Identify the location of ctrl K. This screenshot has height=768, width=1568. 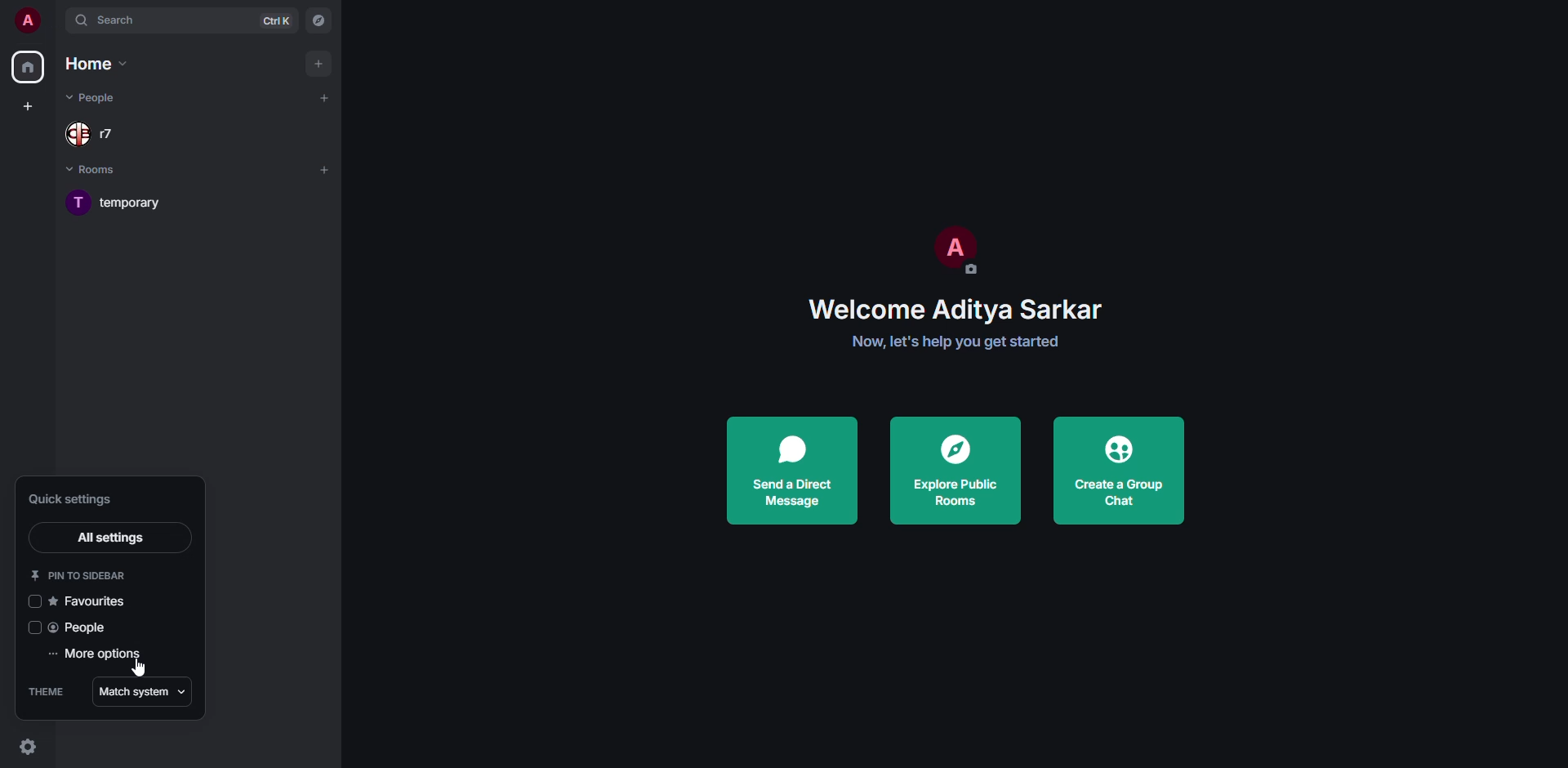
(275, 20).